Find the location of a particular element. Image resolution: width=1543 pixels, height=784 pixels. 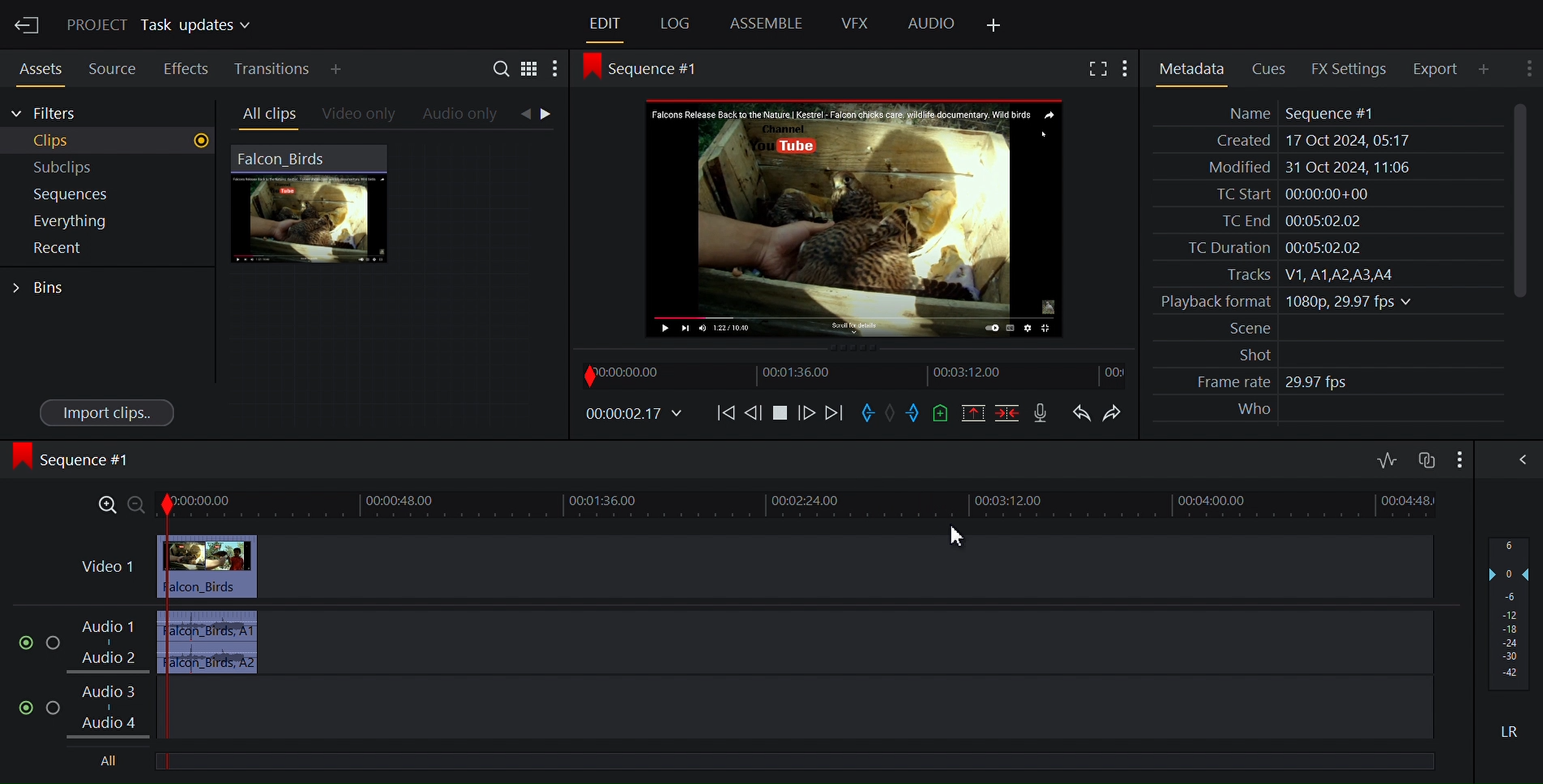

Audio output levels is located at coordinates (1510, 615).